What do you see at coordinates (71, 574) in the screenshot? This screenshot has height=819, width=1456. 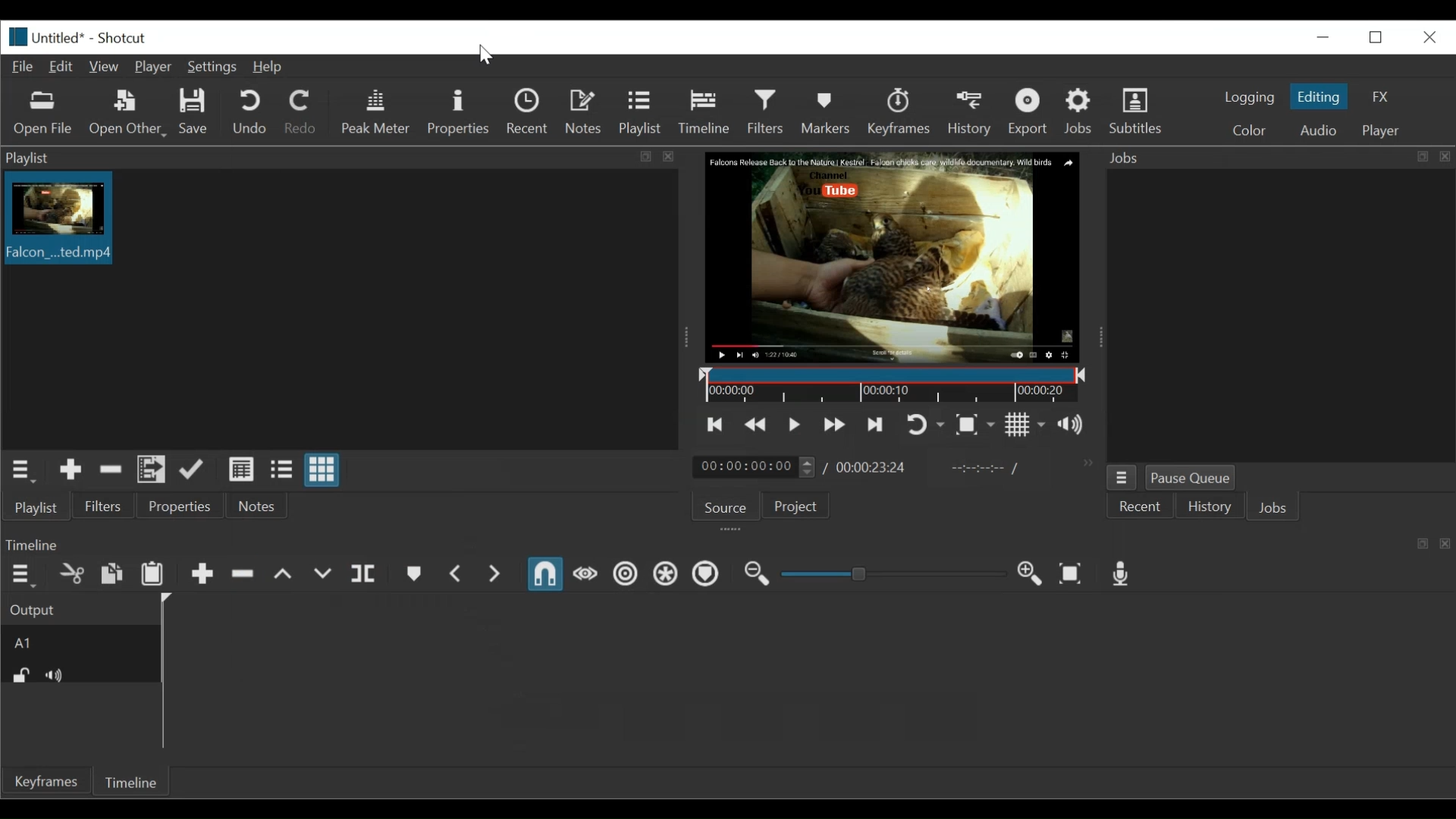 I see `Cut` at bounding box center [71, 574].